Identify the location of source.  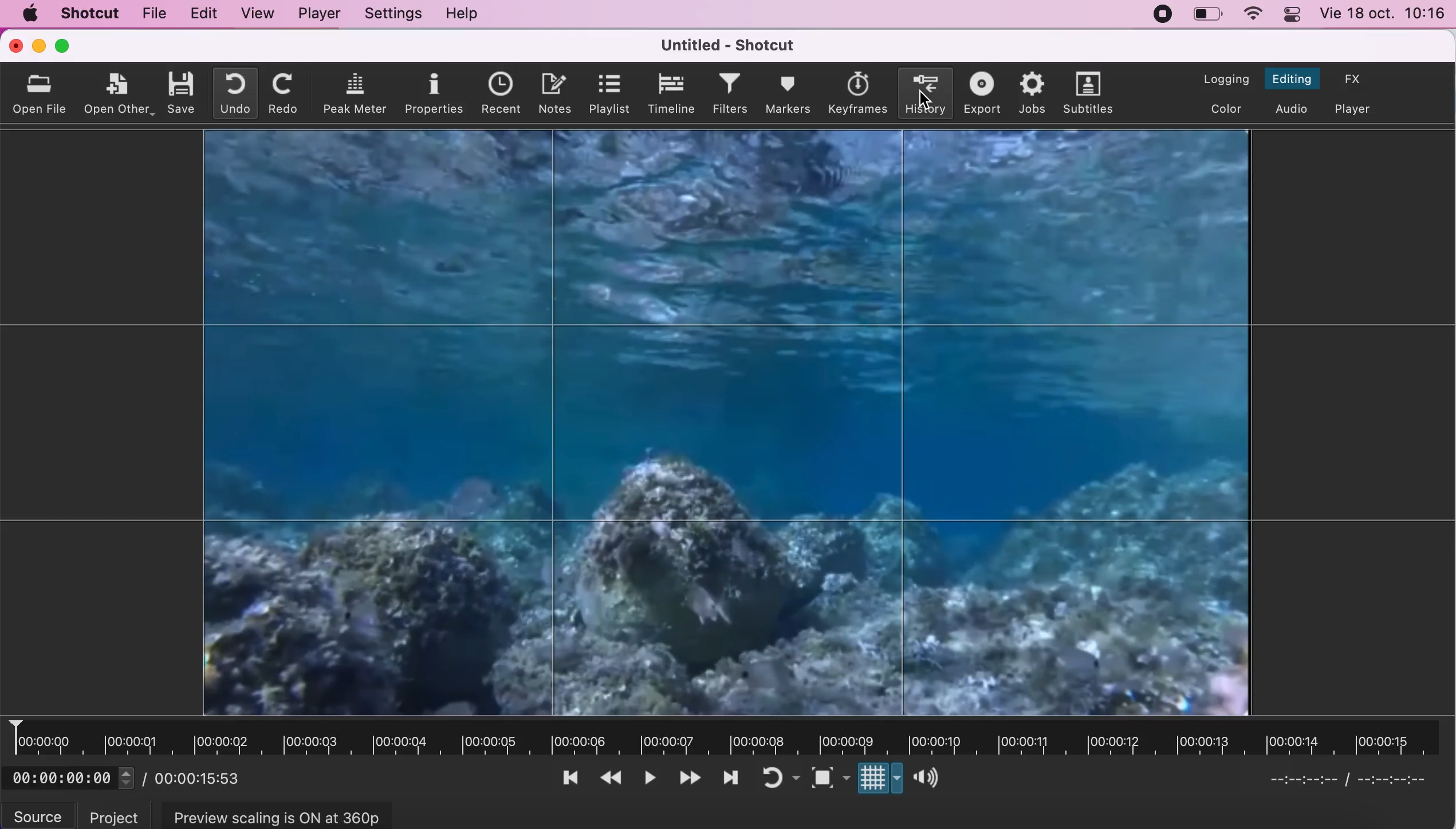
(37, 814).